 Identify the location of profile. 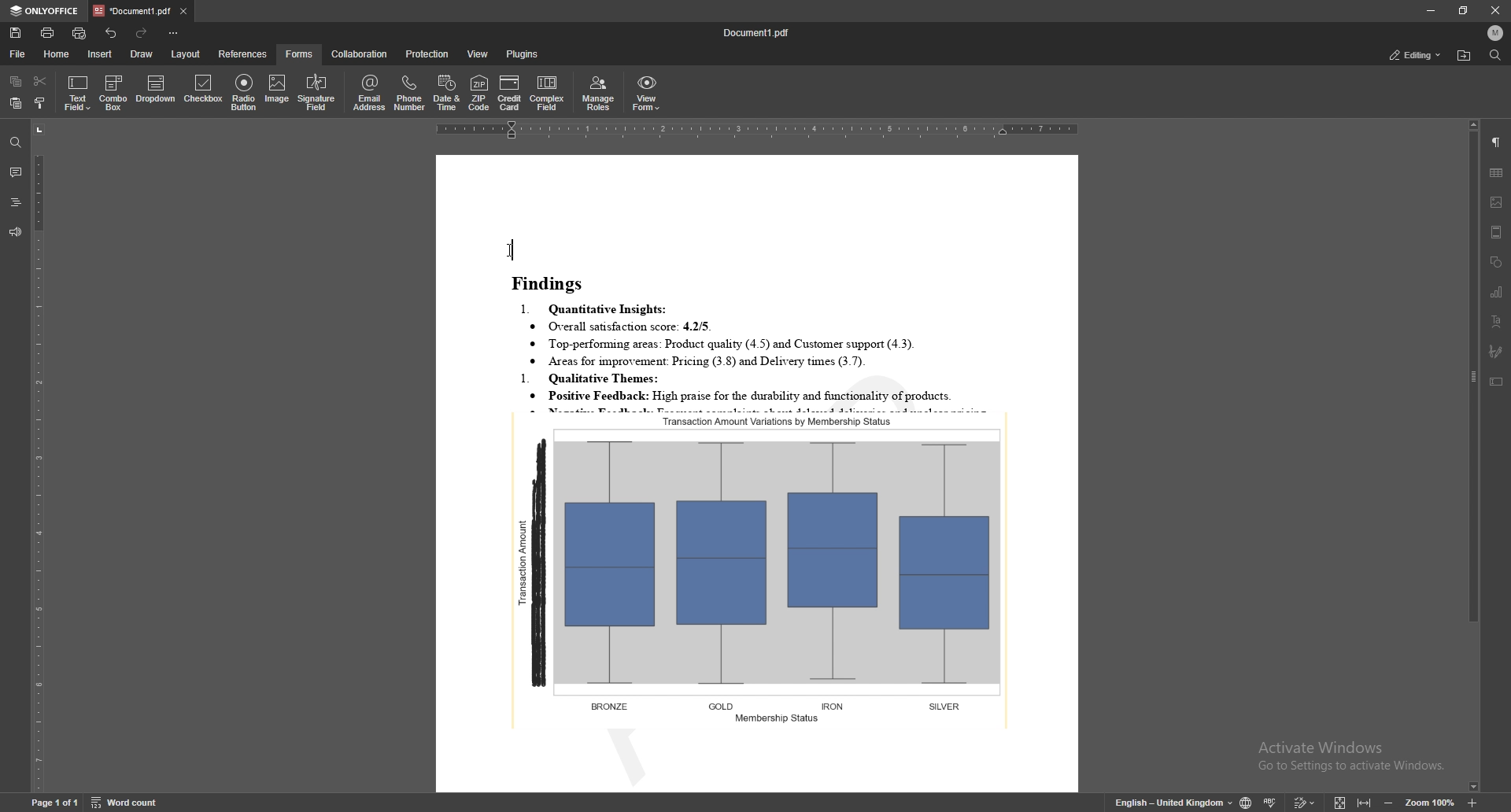
(1495, 33).